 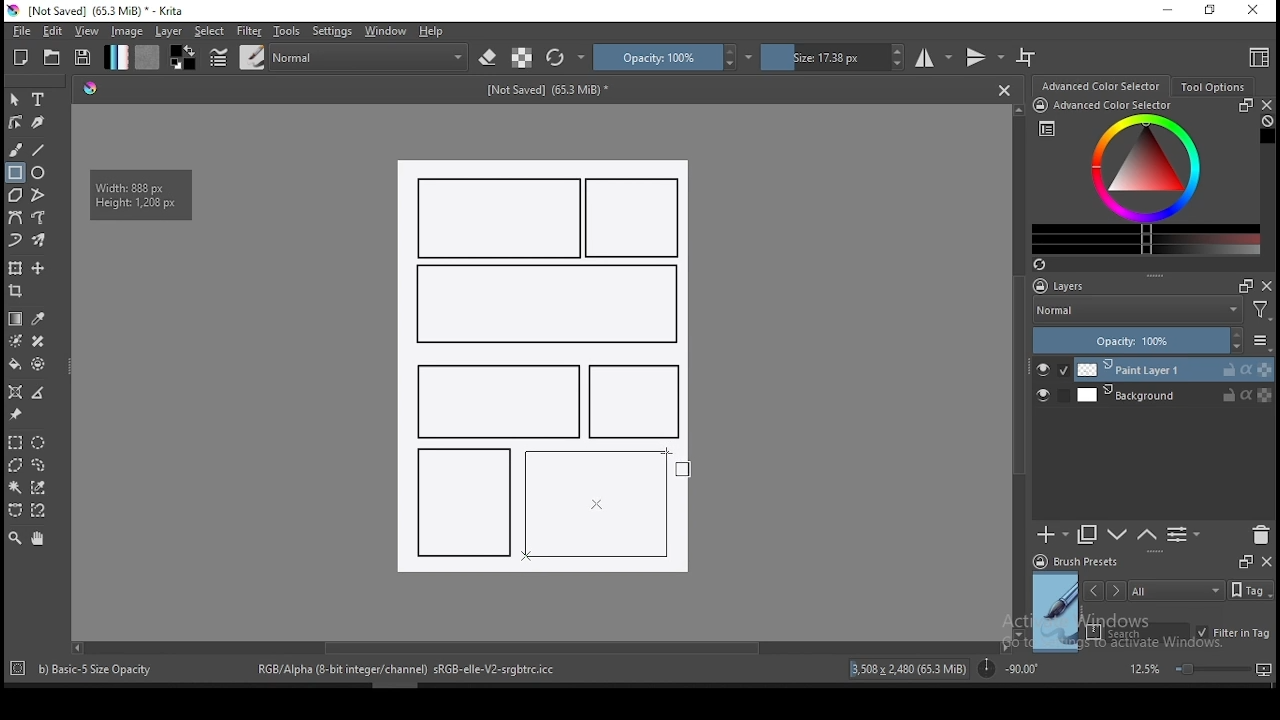 What do you see at coordinates (147, 57) in the screenshot?
I see `pattern` at bounding box center [147, 57].